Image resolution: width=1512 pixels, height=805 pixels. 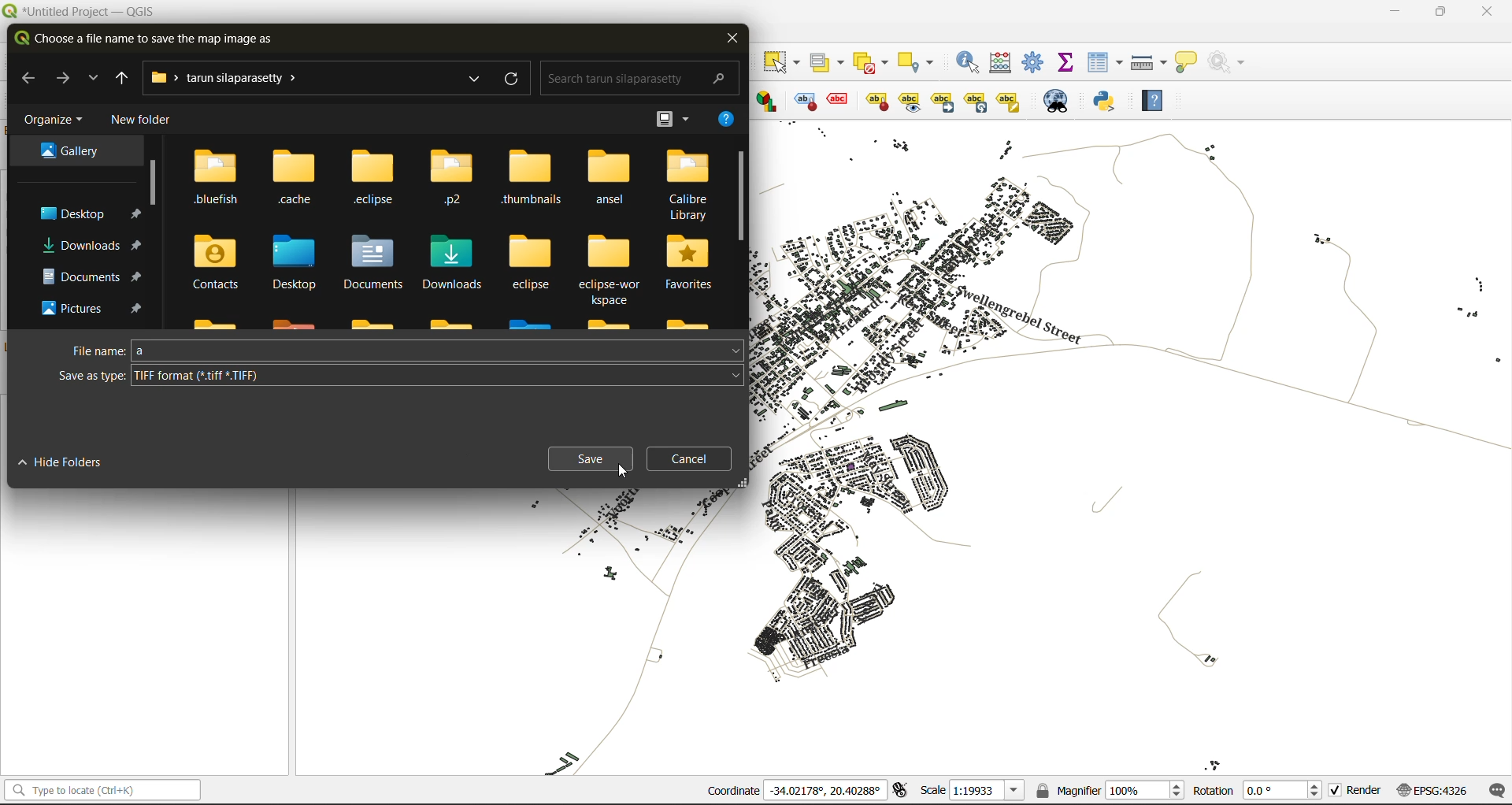 What do you see at coordinates (1159, 100) in the screenshot?
I see `help` at bounding box center [1159, 100].